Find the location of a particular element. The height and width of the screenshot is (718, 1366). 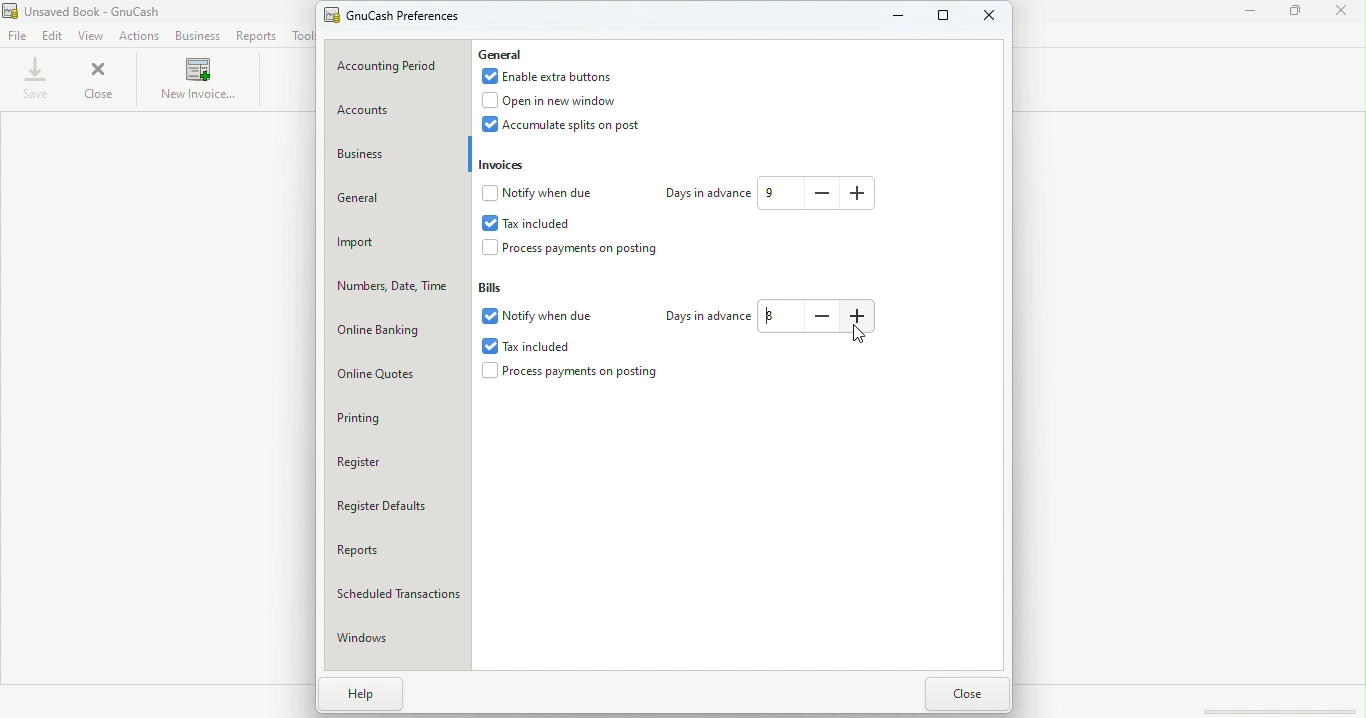

Actions is located at coordinates (143, 36).